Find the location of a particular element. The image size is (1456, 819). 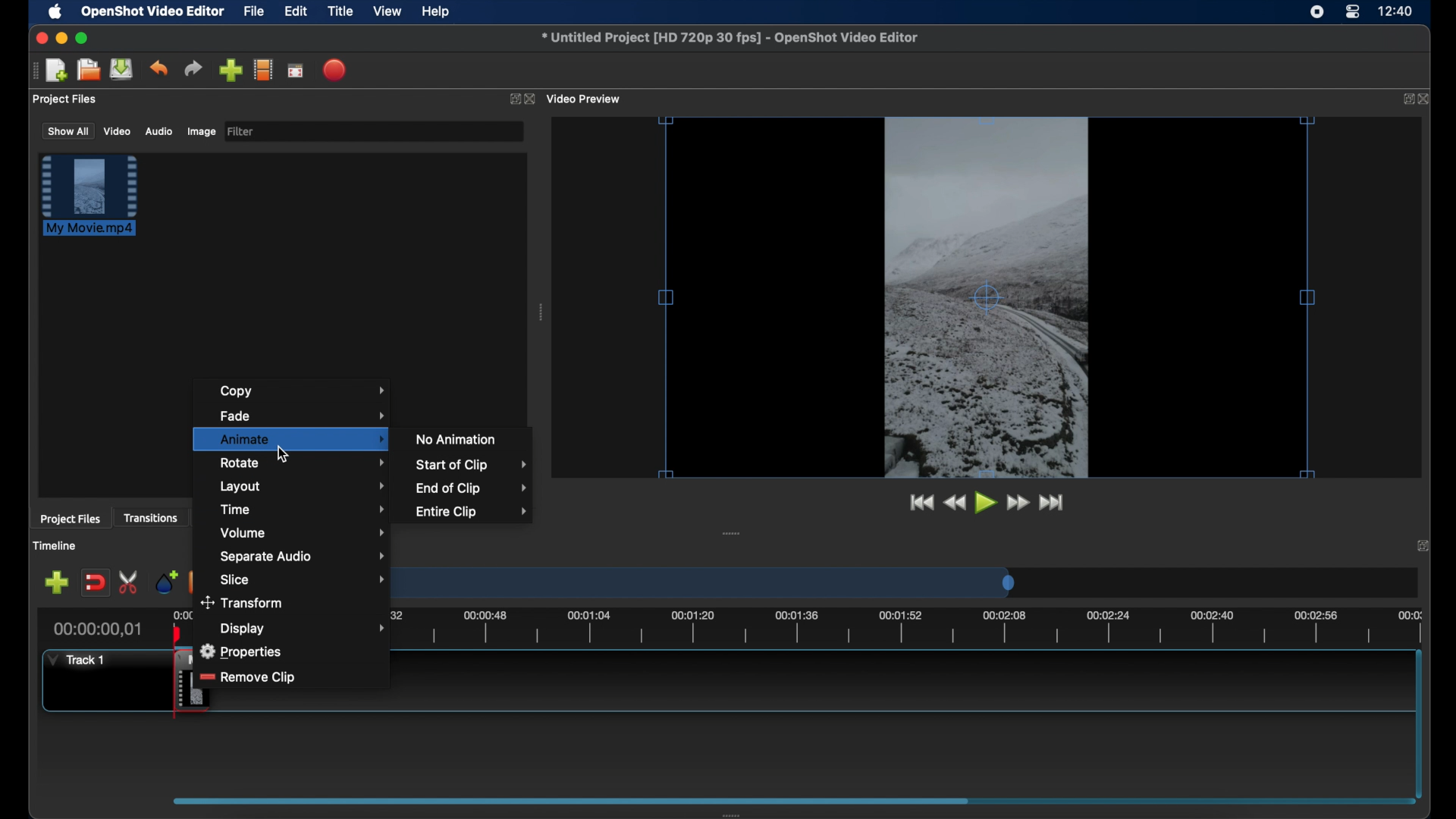

new project is located at coordinates (57, 71).